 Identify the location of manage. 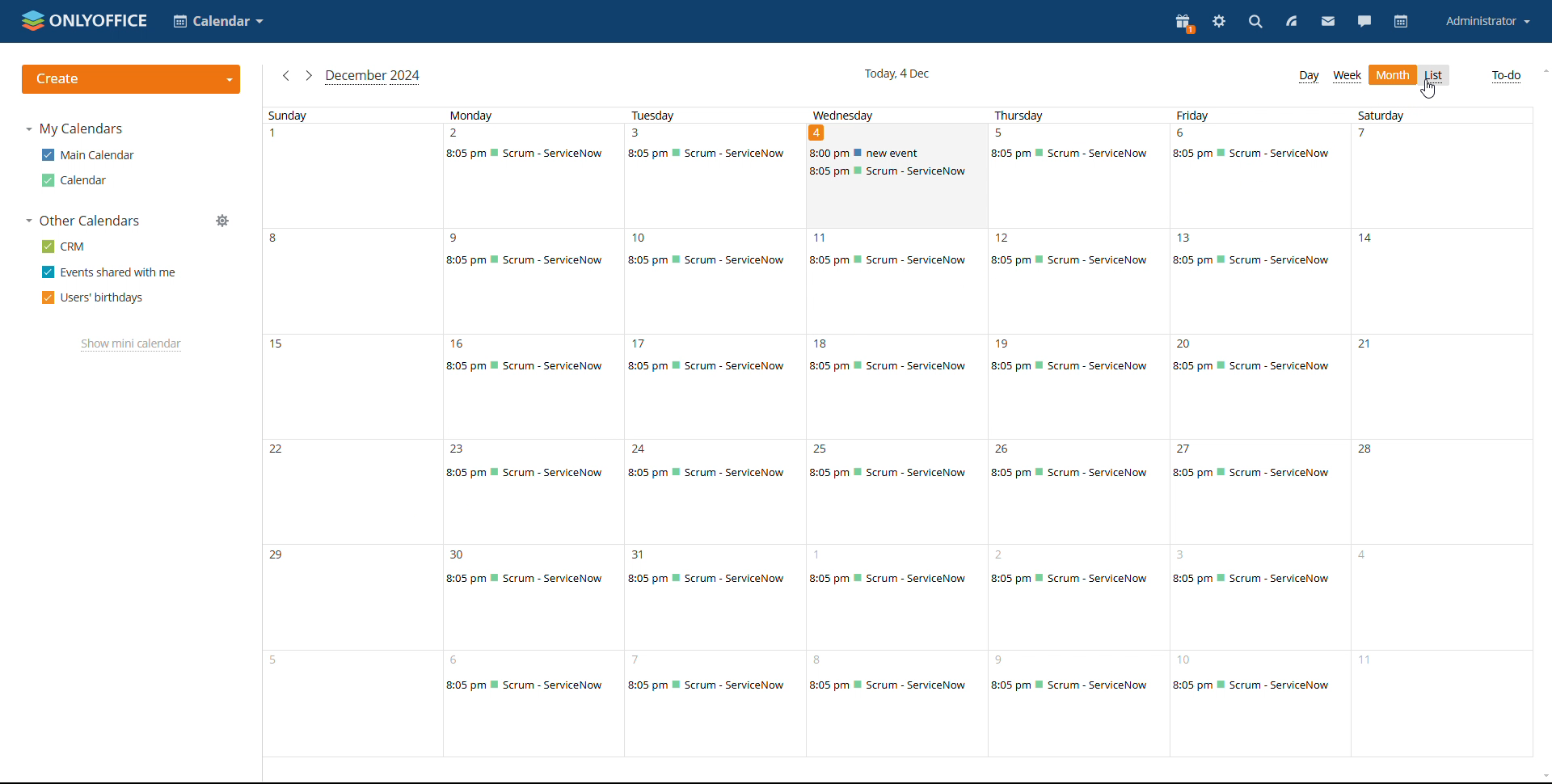
(222, 221).